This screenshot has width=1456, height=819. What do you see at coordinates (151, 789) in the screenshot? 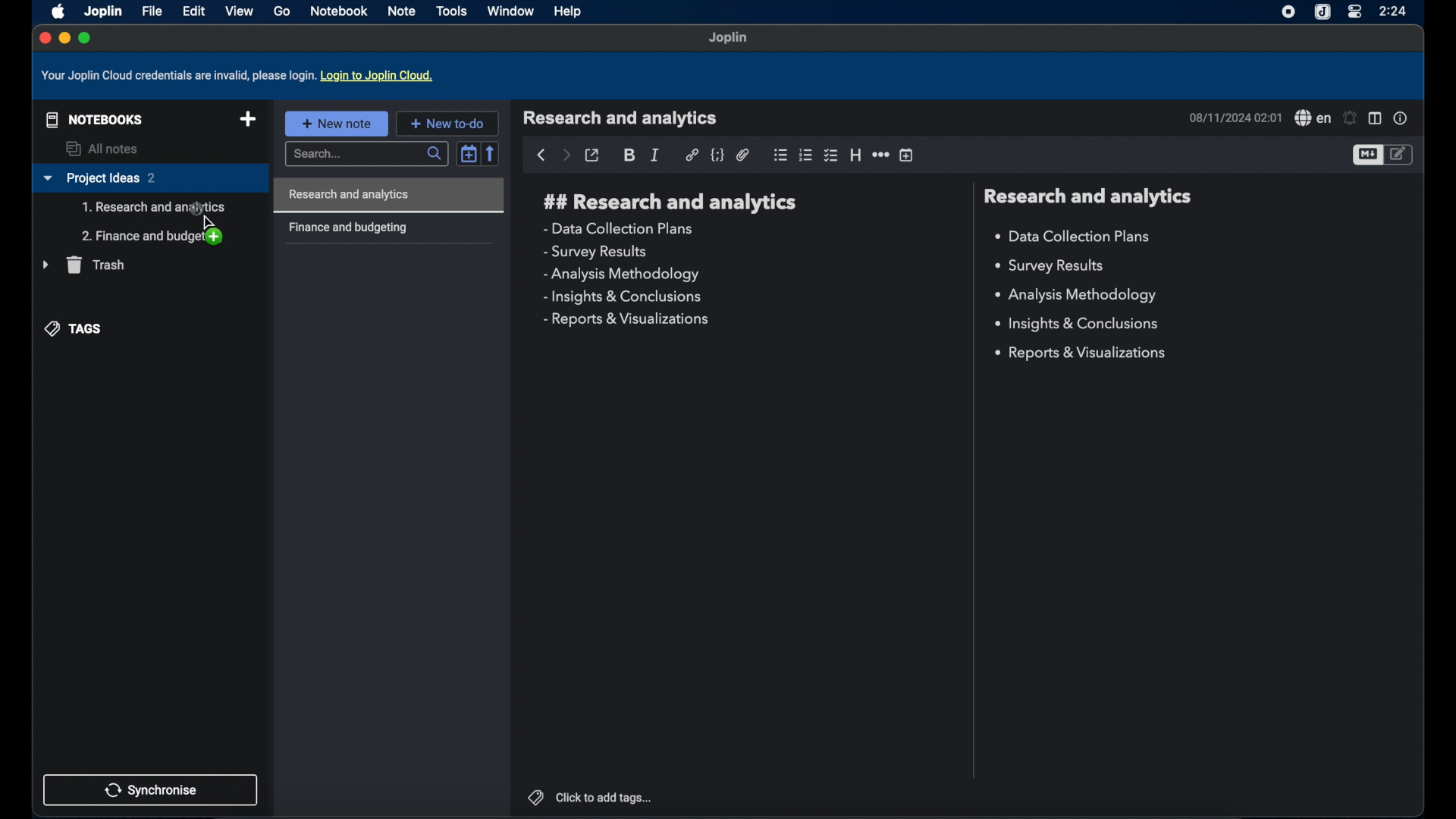
I see `synchronise` at bounding box center [151, 789].